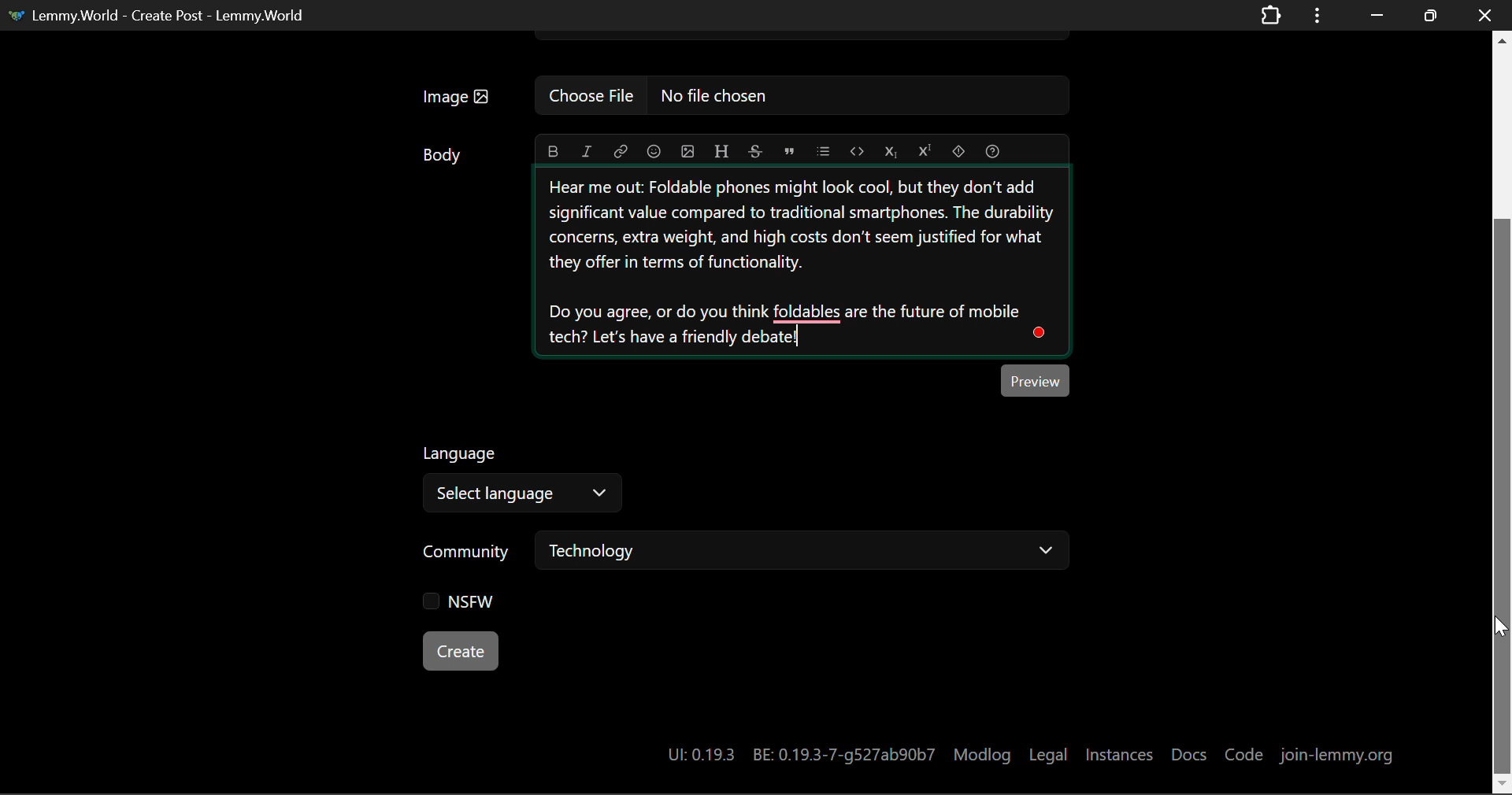  I want to click on Insert Image Field, so click(750, 96).